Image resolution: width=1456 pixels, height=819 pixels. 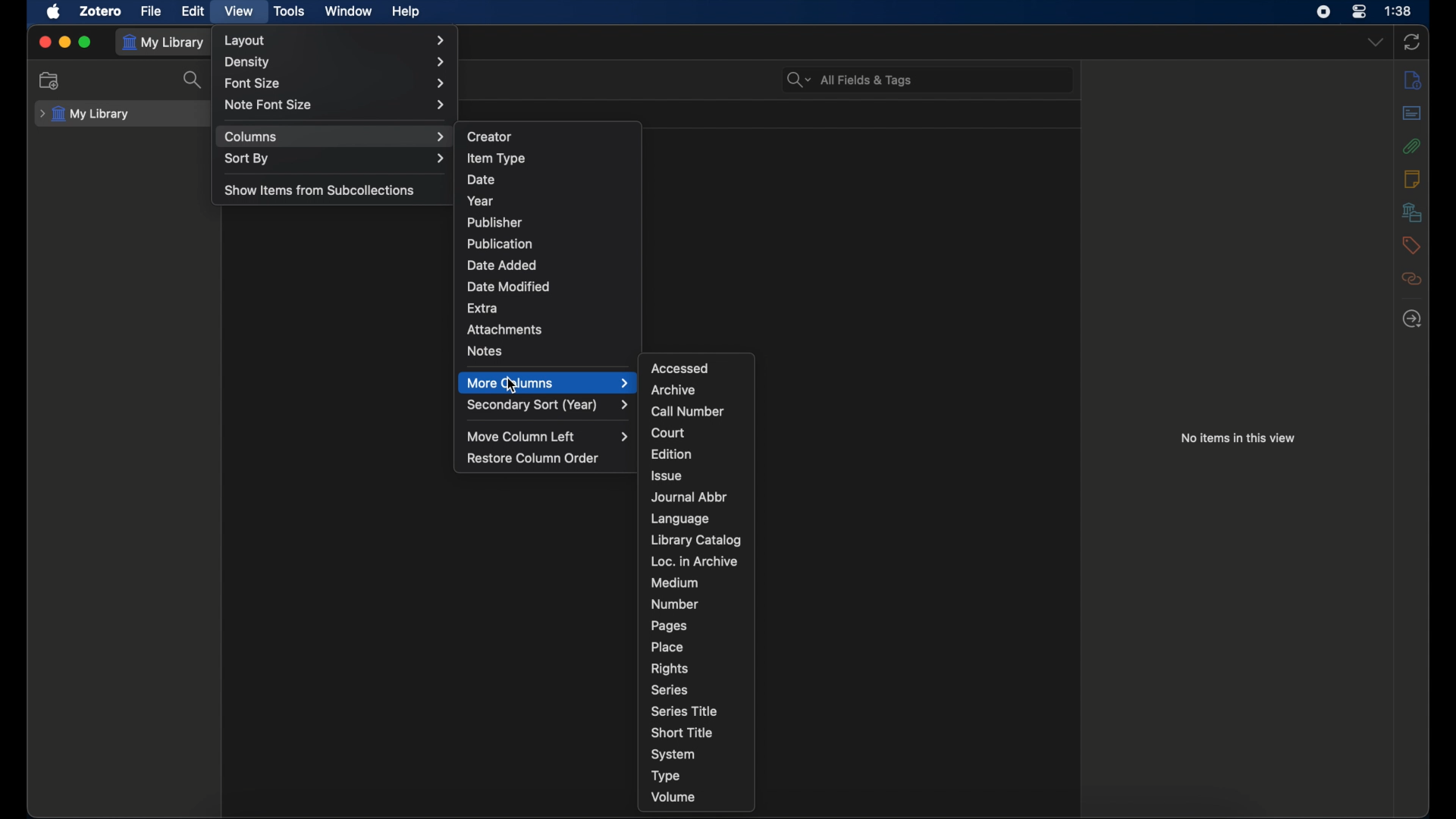 I want to click on abstracts, so click(x=1411, y=112).